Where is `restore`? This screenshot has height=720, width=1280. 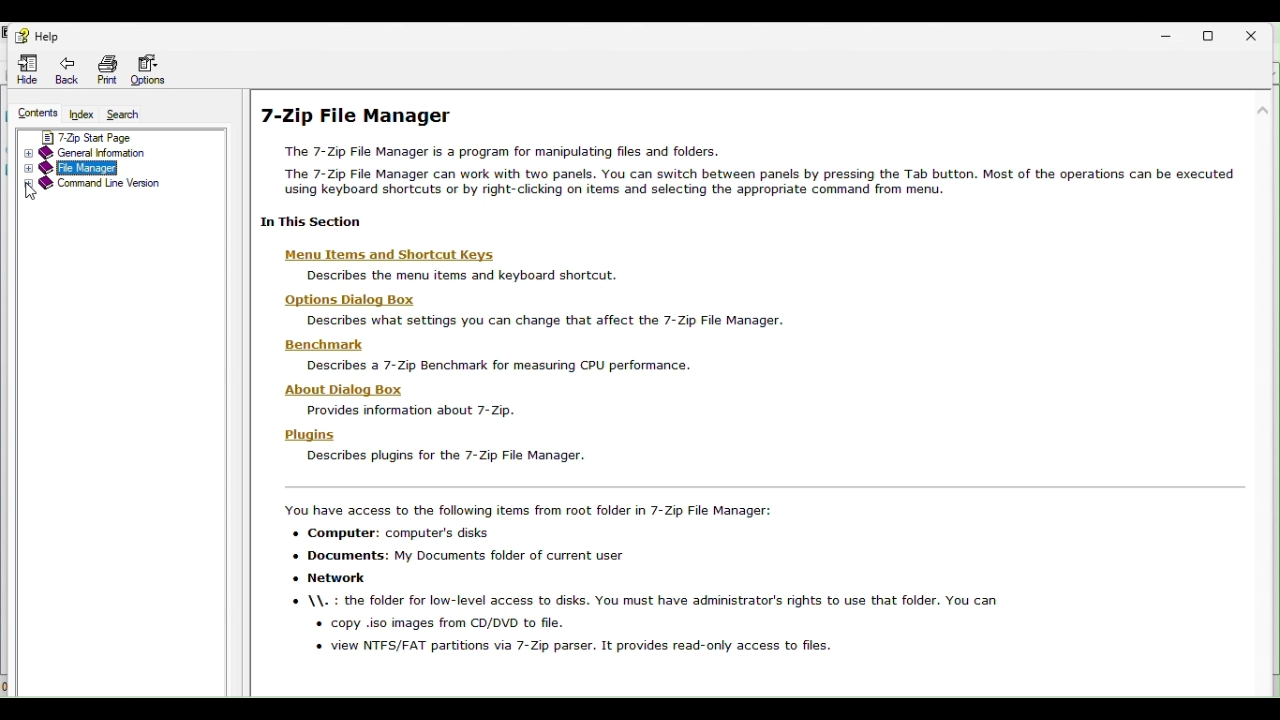
restore is located at coordinates (1217, 35).